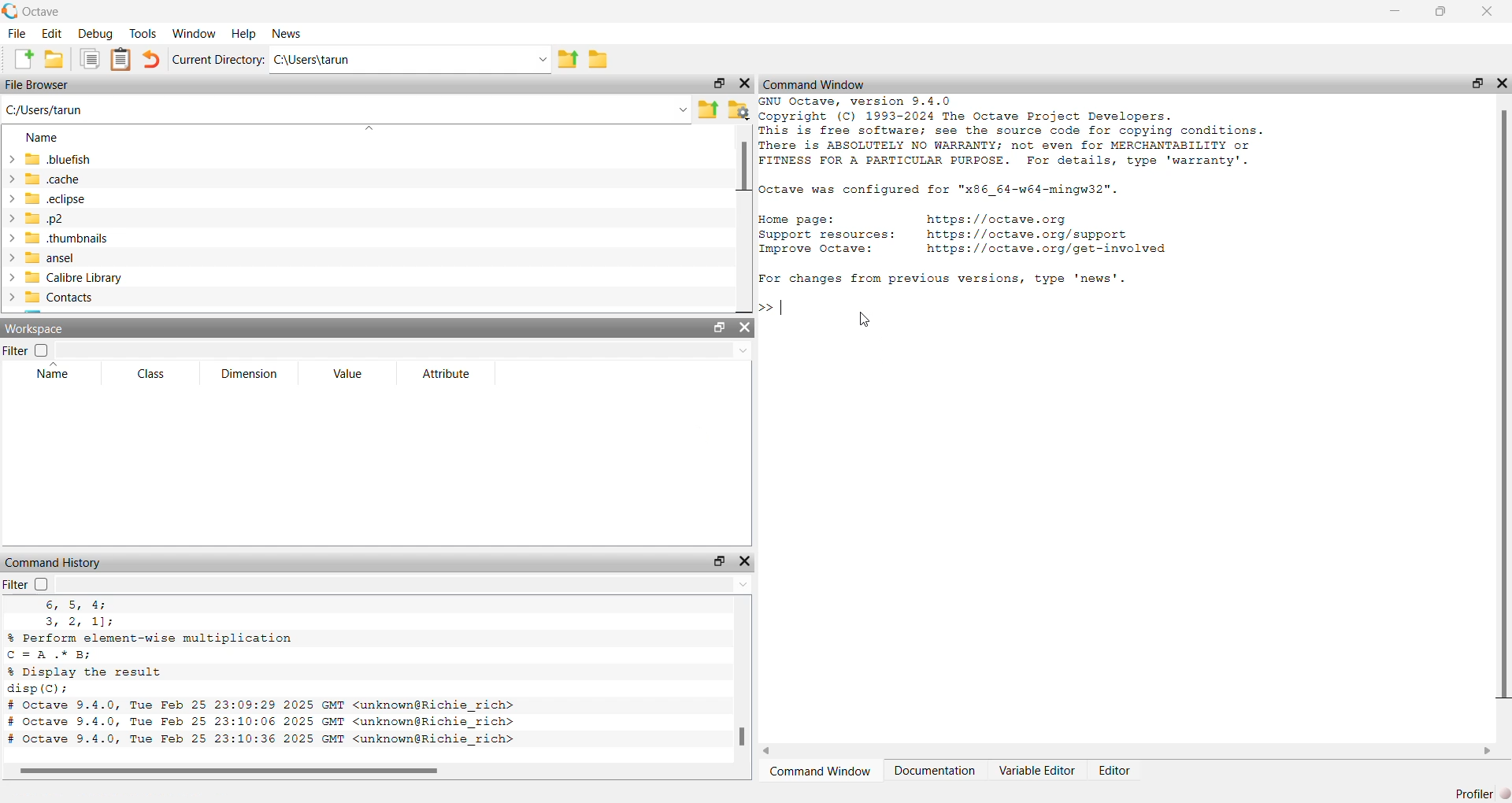 This screenshot has height=803, width=1512. Describe the element at coordinates (54, 563) in the screenshot. I see `Command History` at that location.